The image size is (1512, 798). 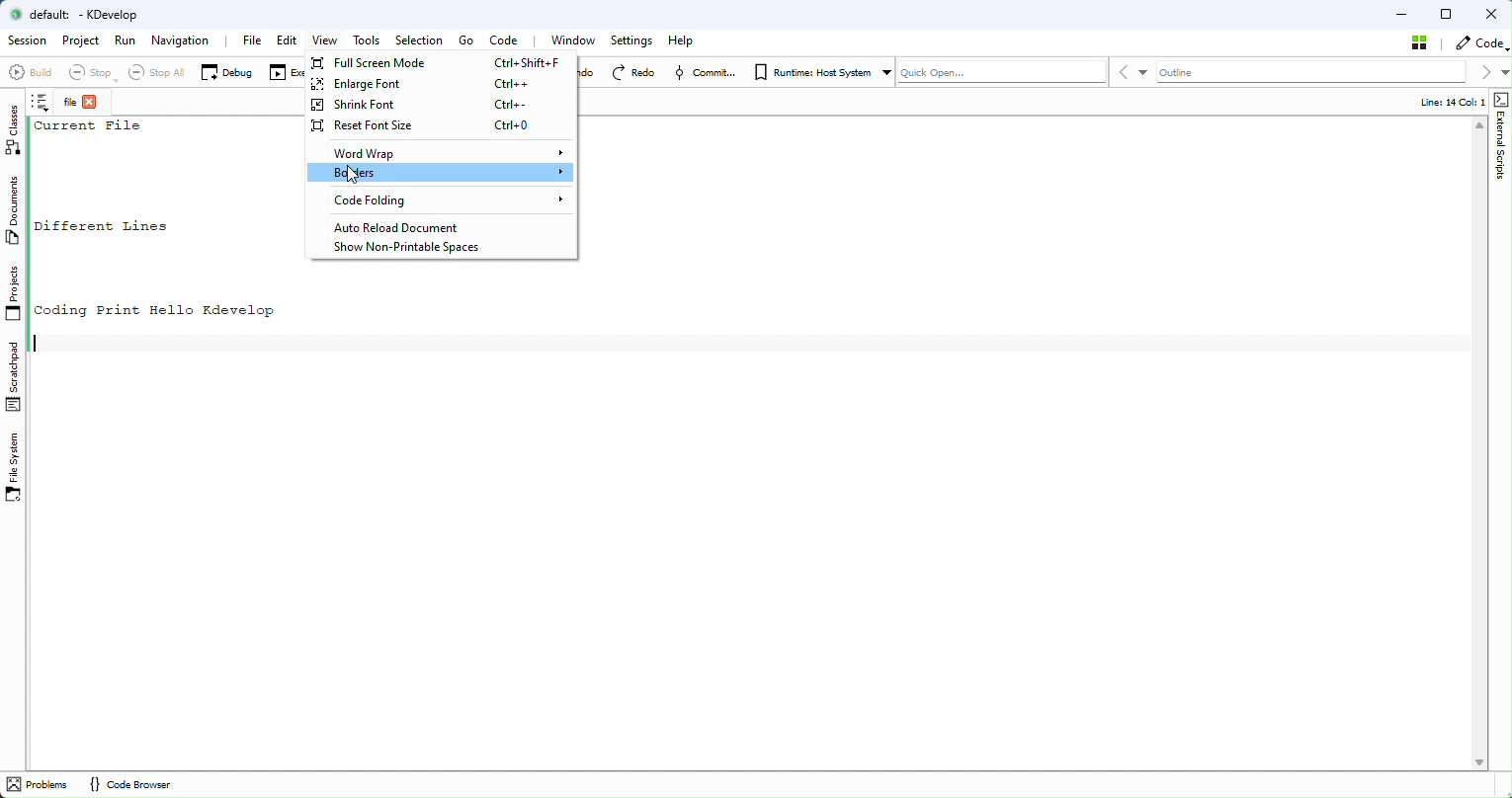 I want to click on Stop, so click(x=88, y=73).